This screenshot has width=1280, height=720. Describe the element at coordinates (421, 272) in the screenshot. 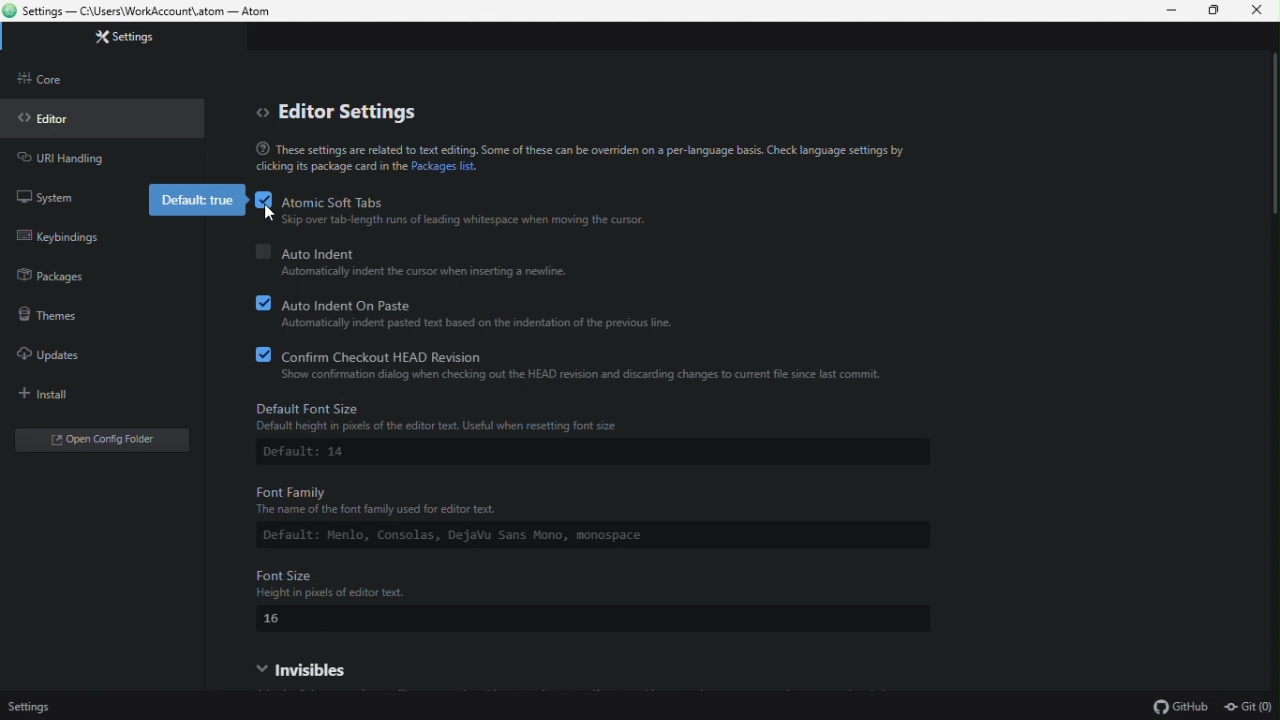

I see `‘Automatically indent the cursor when inserting a newline.` at that location.